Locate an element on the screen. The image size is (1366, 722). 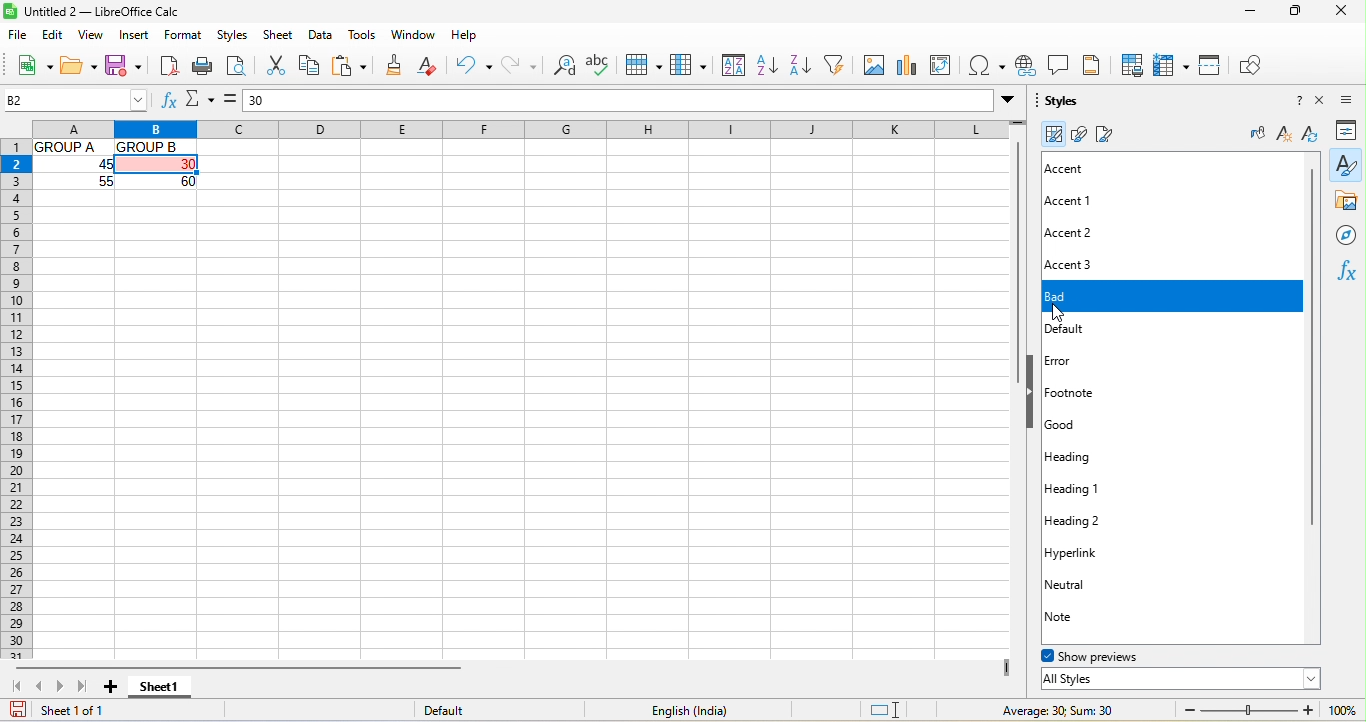
accent 2 is located at coordinates (1098, 233).